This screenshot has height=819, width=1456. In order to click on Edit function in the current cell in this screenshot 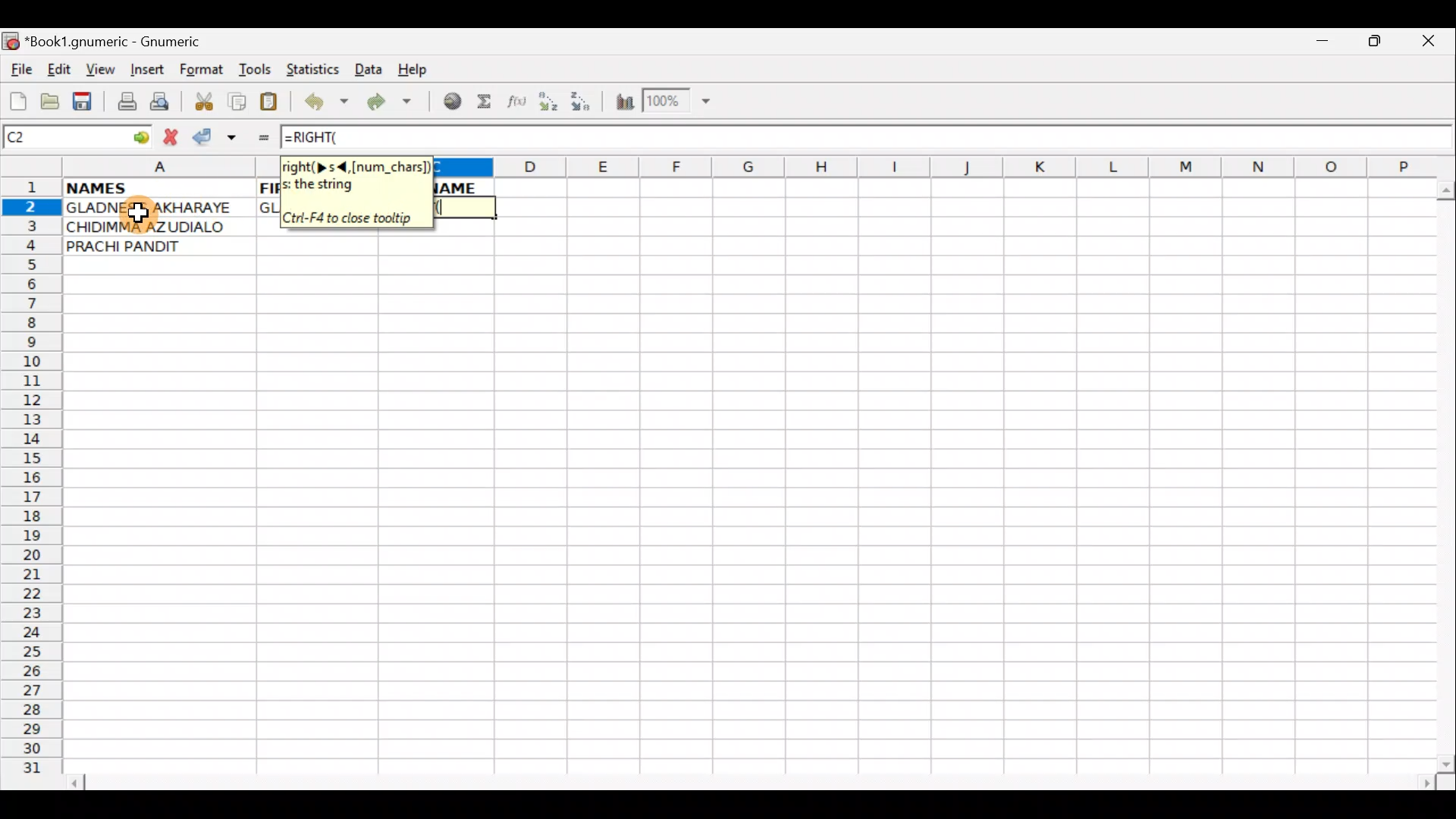, I will do `click(519, 105)`.